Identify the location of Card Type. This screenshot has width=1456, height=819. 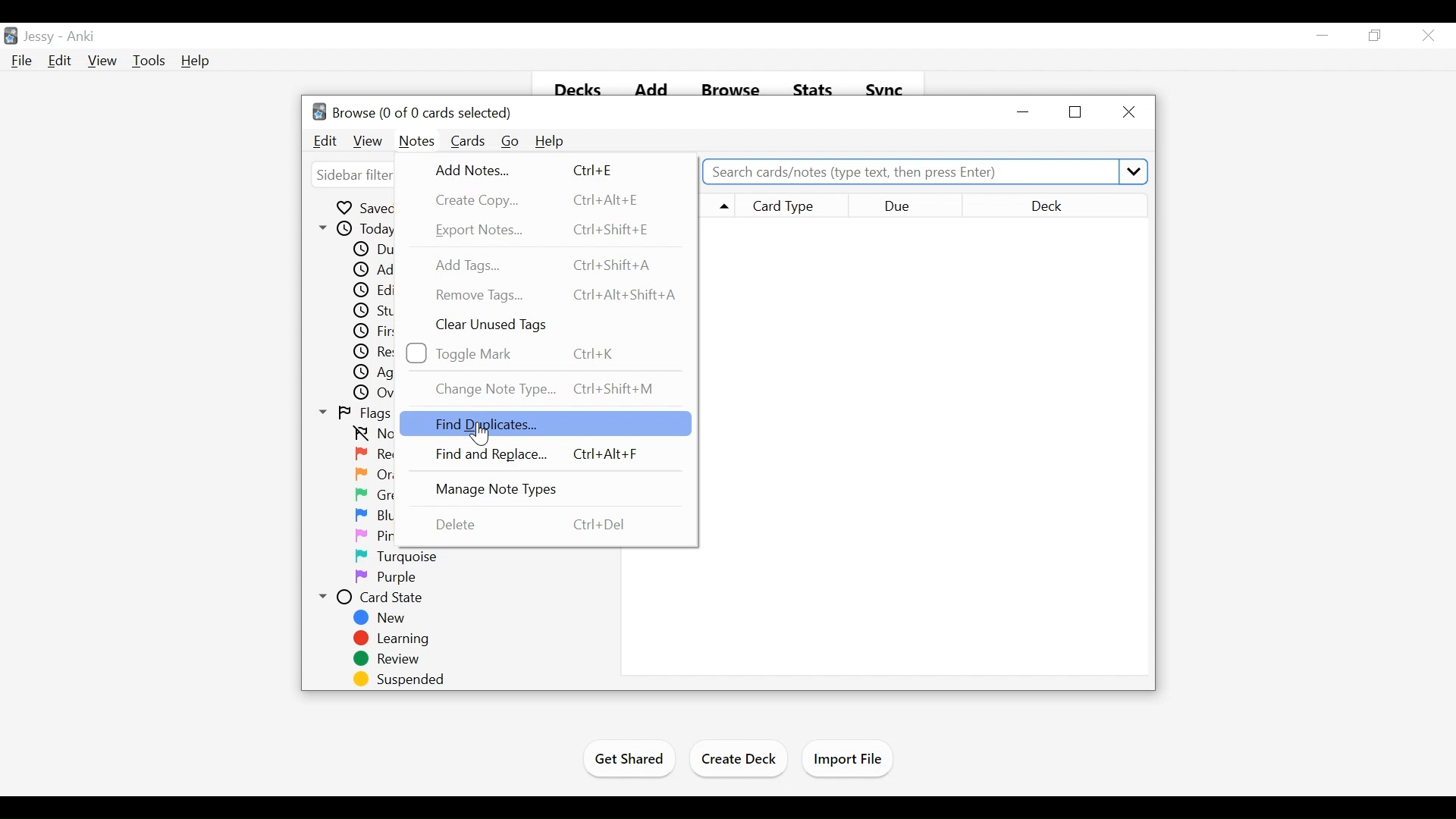
(792, 204).